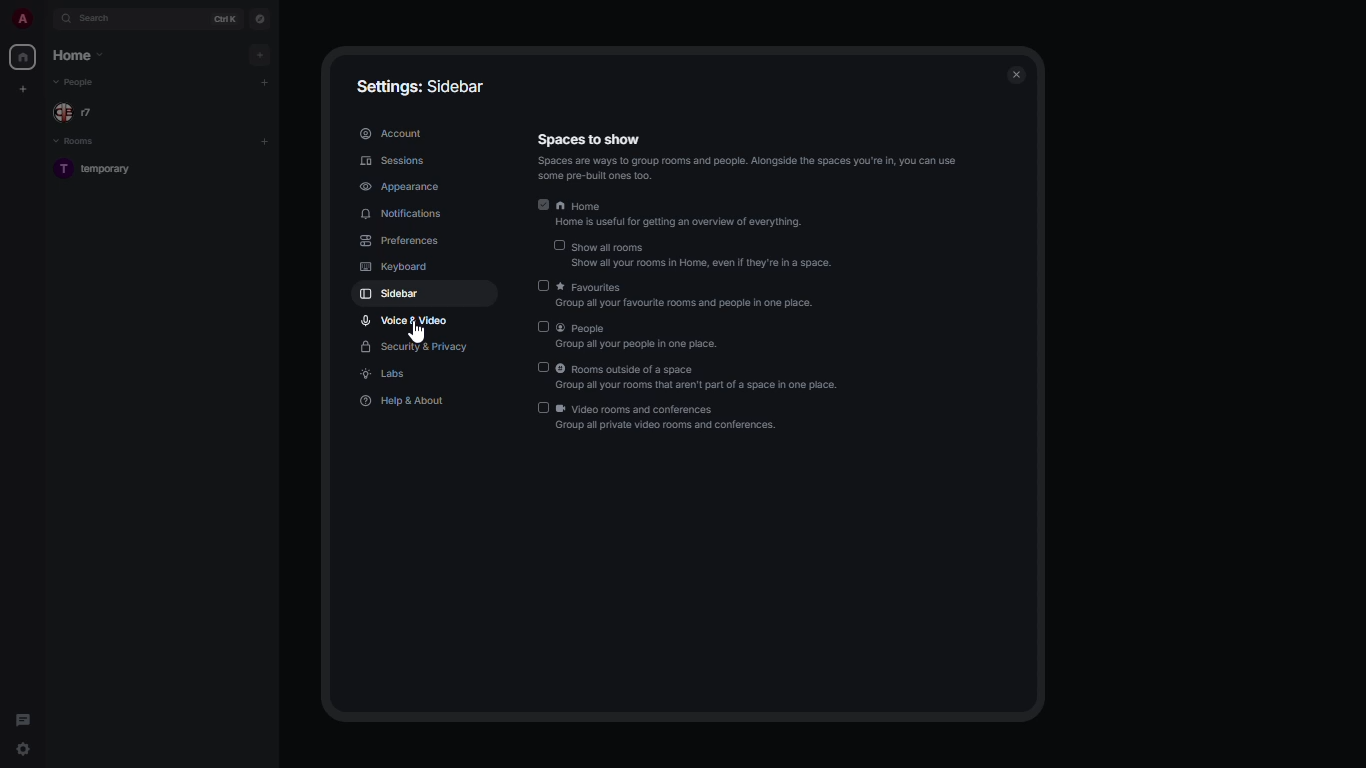 This screenshot has height=768, width=1366. Describe the element at coordinates (258, 55) in the screenshot. I see `add` at that location.